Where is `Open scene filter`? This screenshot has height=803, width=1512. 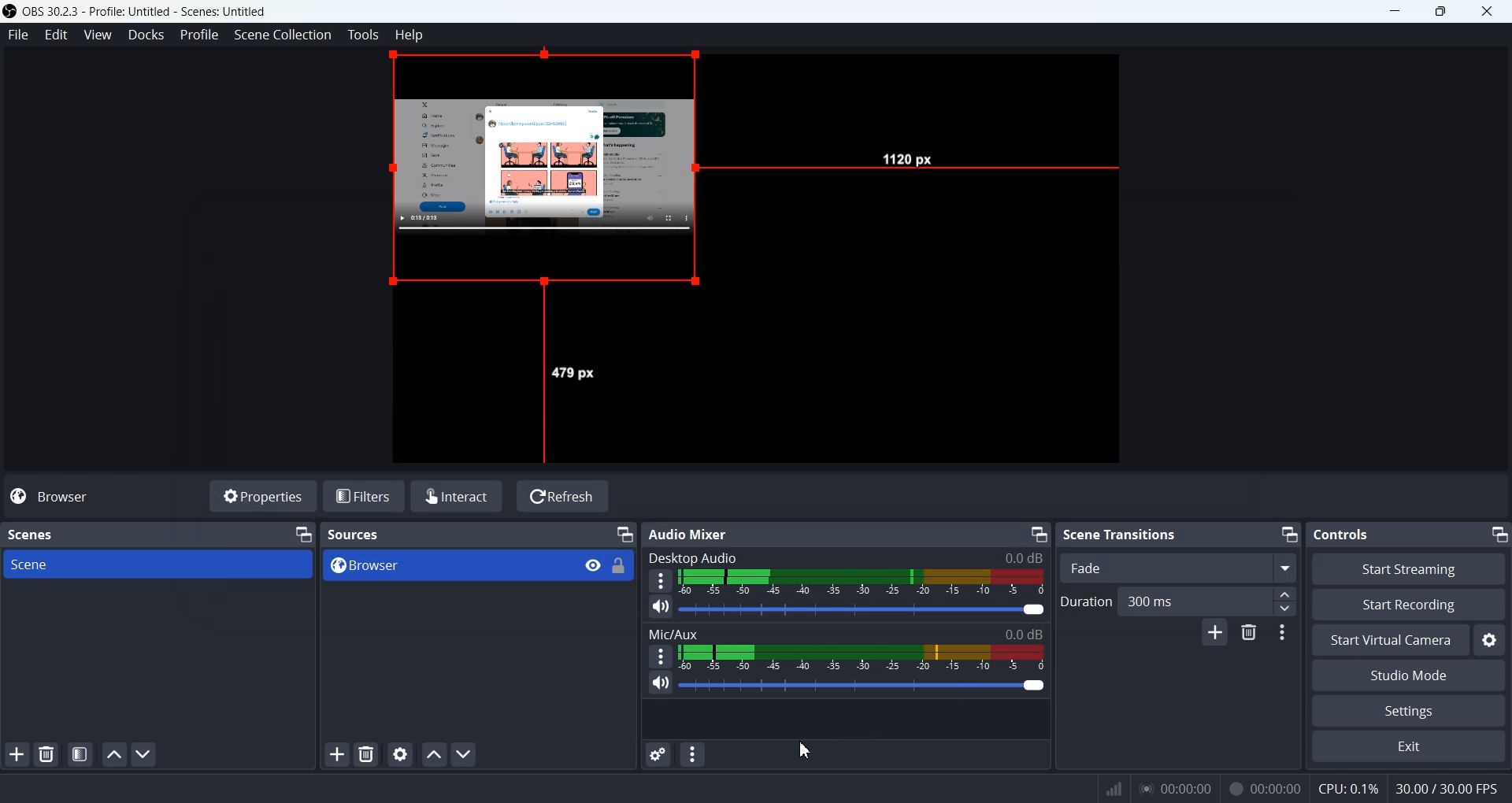
Open scene filter is located at coordinates (80, 756).